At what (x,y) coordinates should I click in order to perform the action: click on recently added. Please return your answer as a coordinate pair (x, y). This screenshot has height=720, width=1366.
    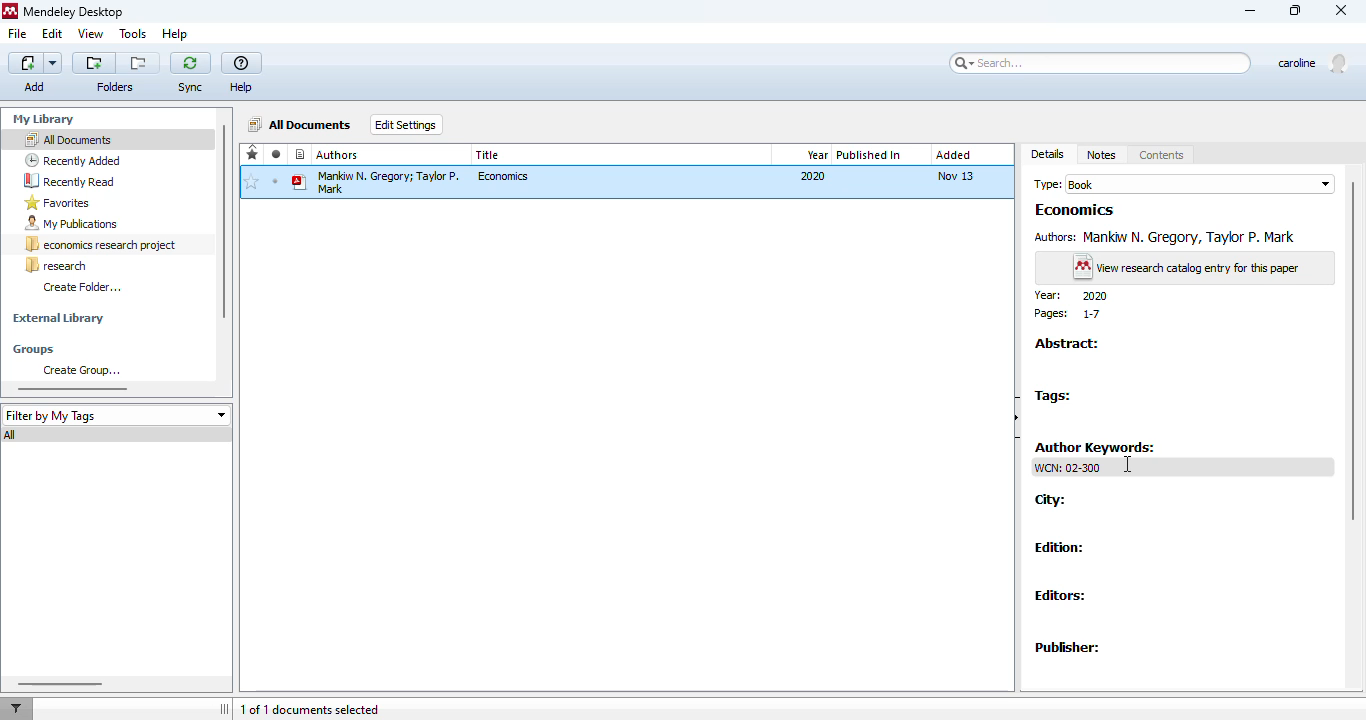
    Looking at the image, I should click on (73, 160).